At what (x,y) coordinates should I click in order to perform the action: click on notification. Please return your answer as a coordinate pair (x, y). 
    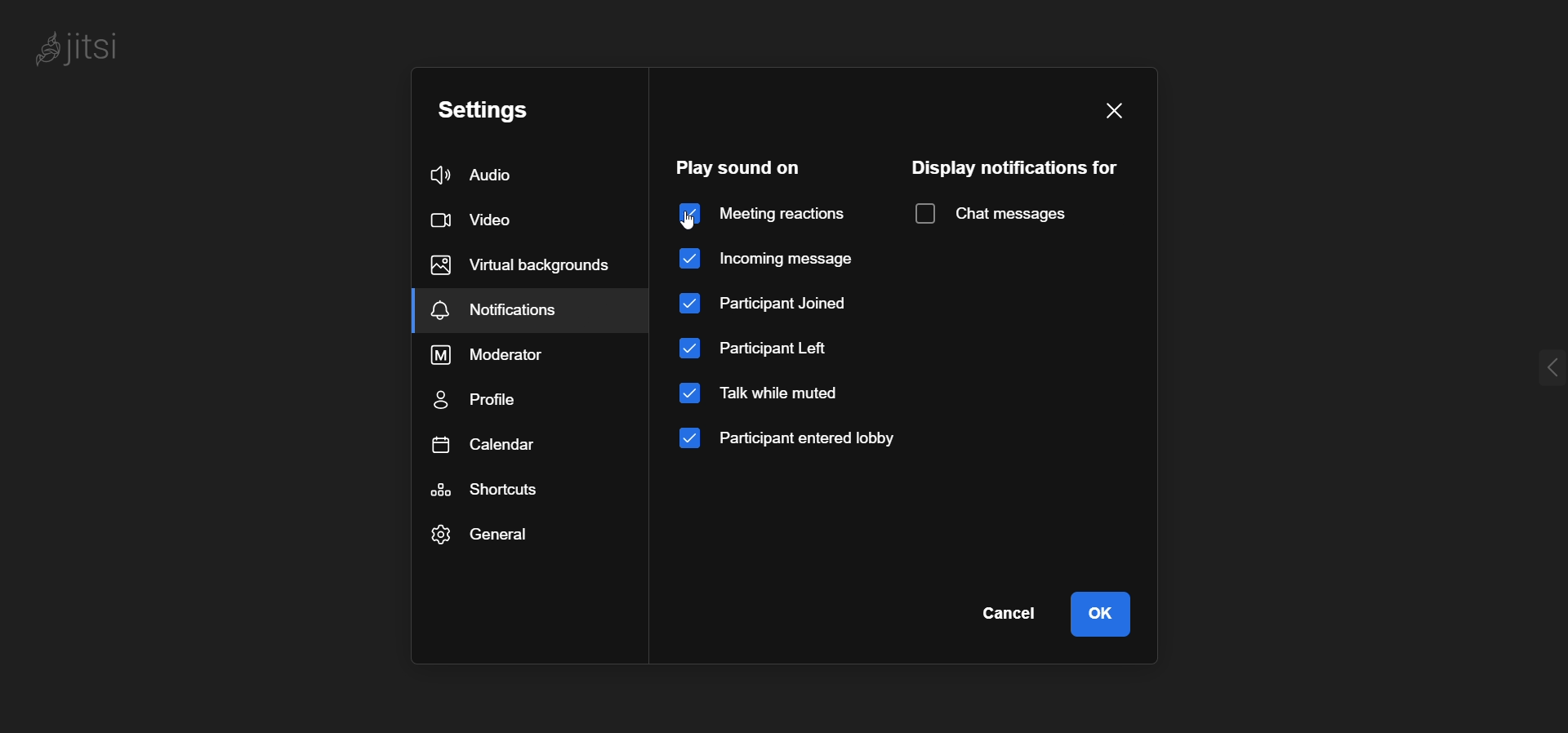
    Looking at the image, I should click on (494, 308).